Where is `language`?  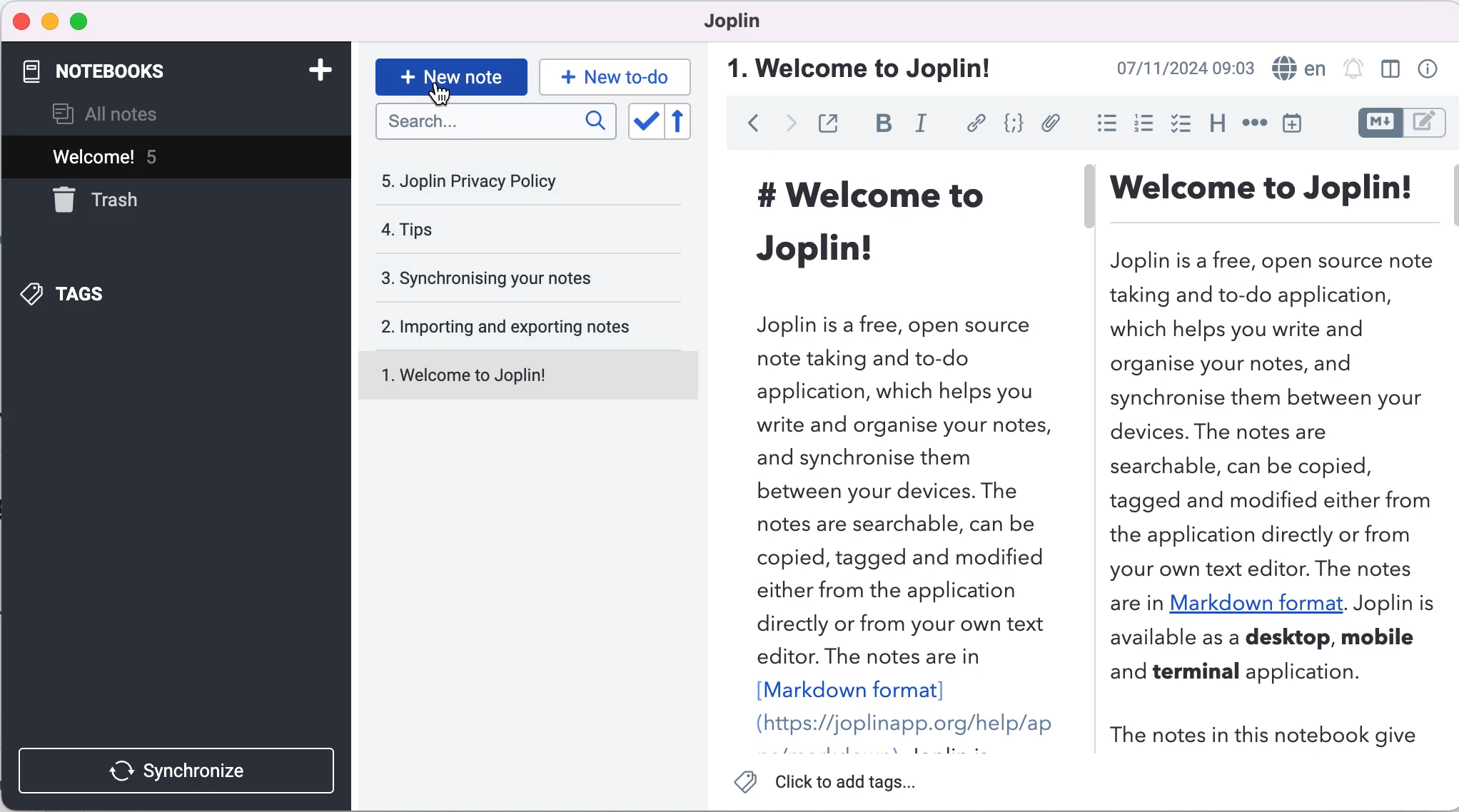
language is located at coordinates (1298, 68).